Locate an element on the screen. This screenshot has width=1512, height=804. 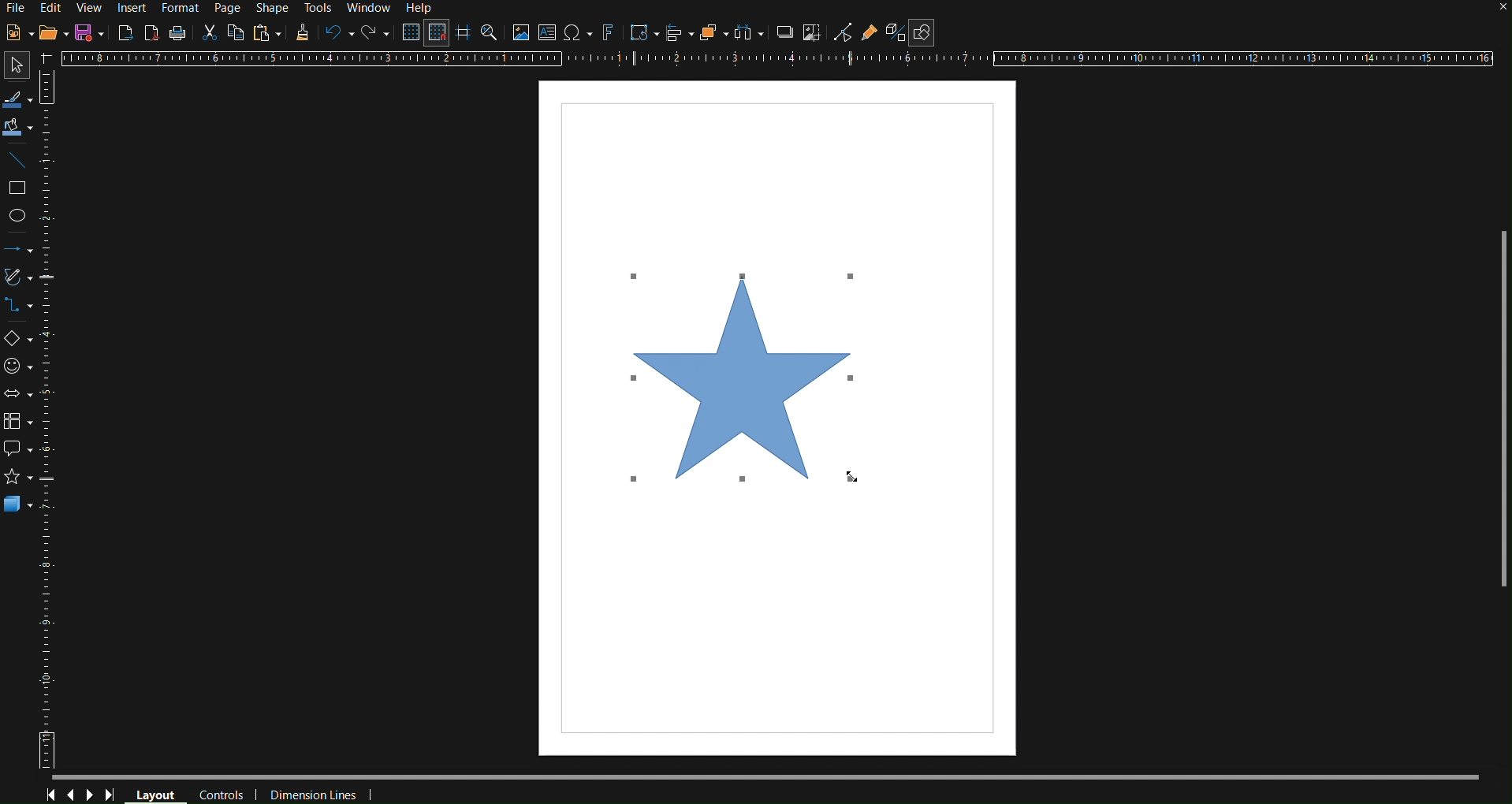
Insert Special Character is located at coordinates (577, 34).